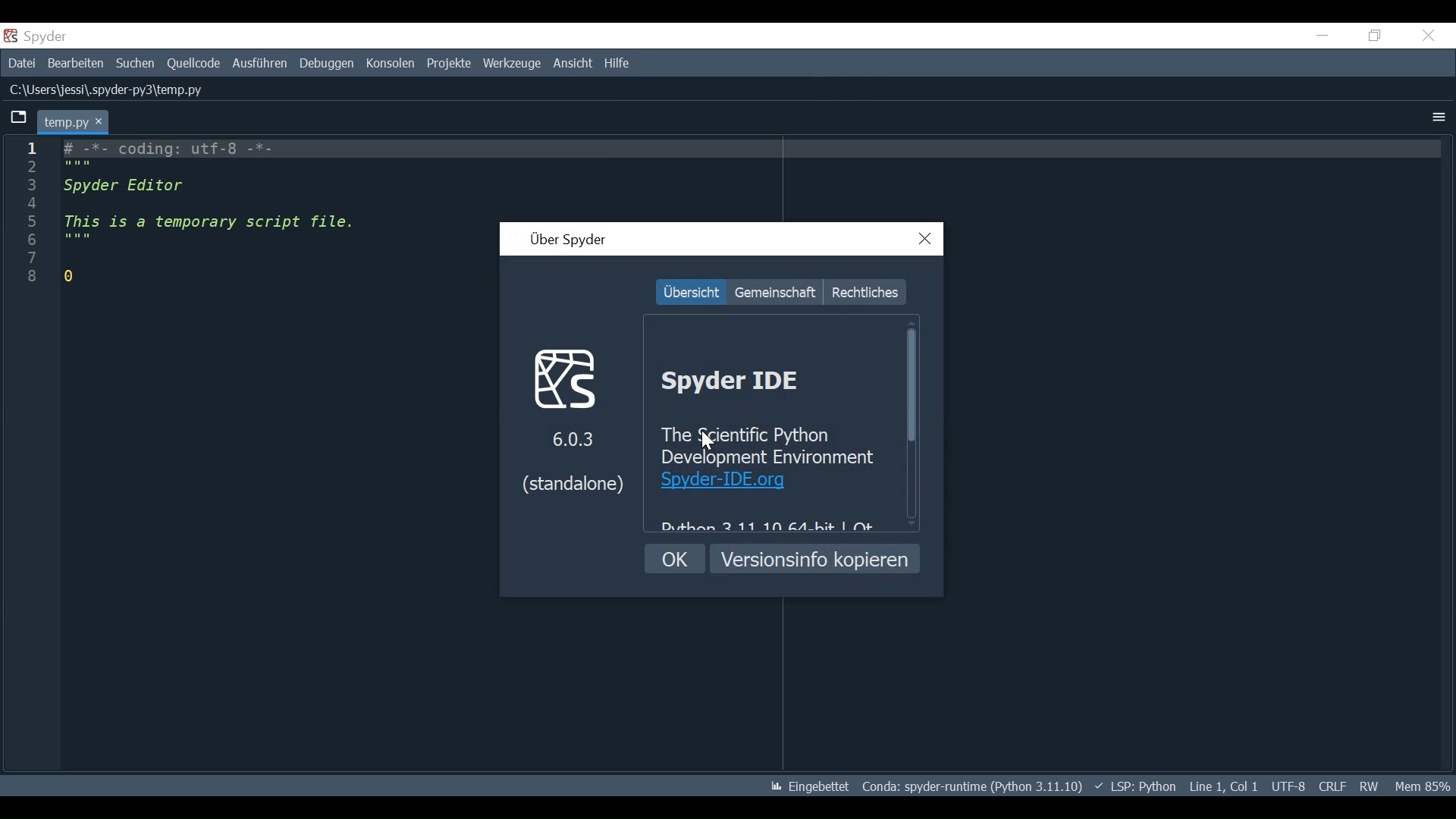 This screenshot has width=1456, height=819. What do you see at coordinates (1437, 117) in the screenshot?
I see `More options` at bounding box center [1437, 117].